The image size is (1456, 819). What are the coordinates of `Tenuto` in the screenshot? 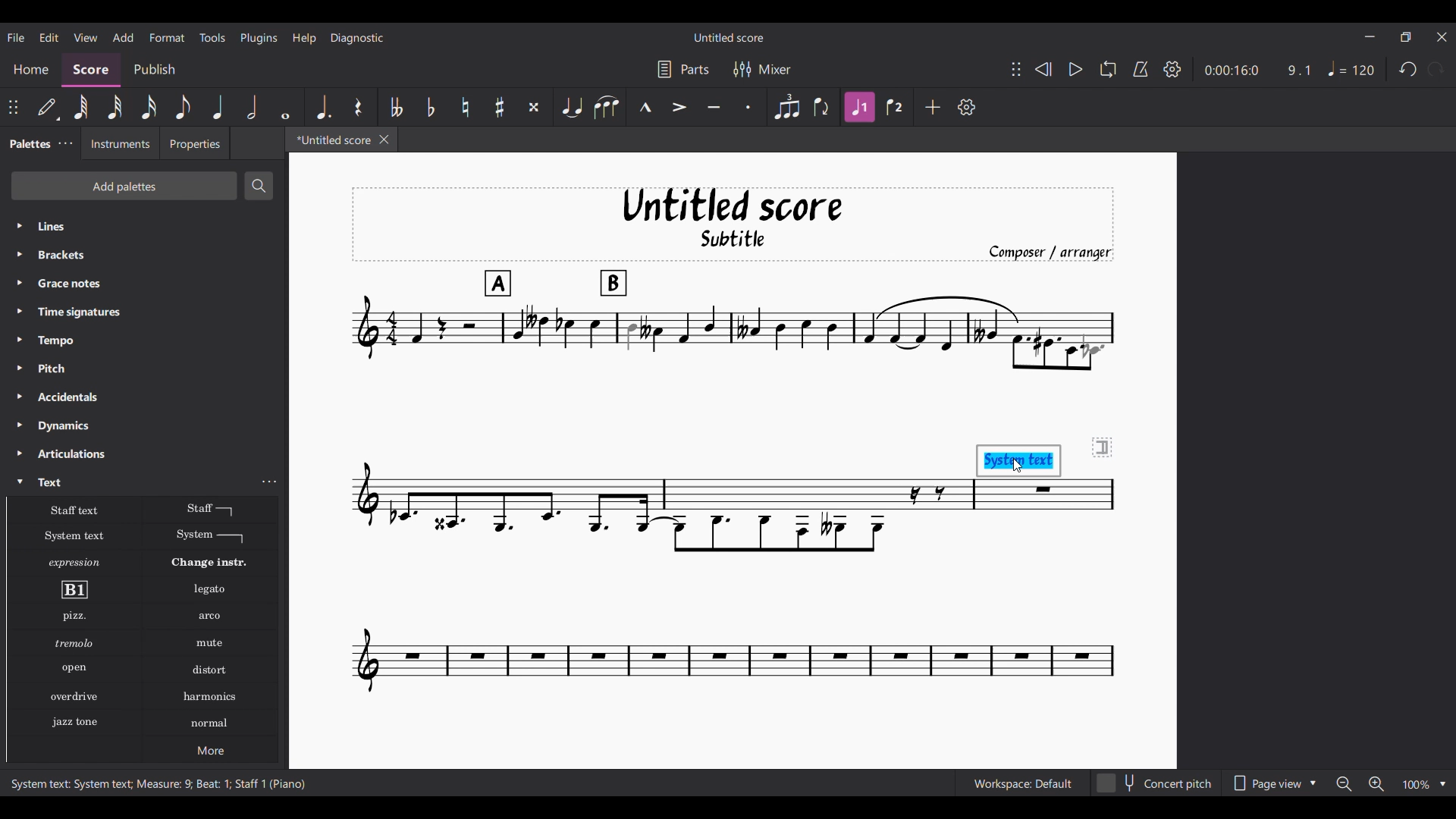 It's located at (714, 108).